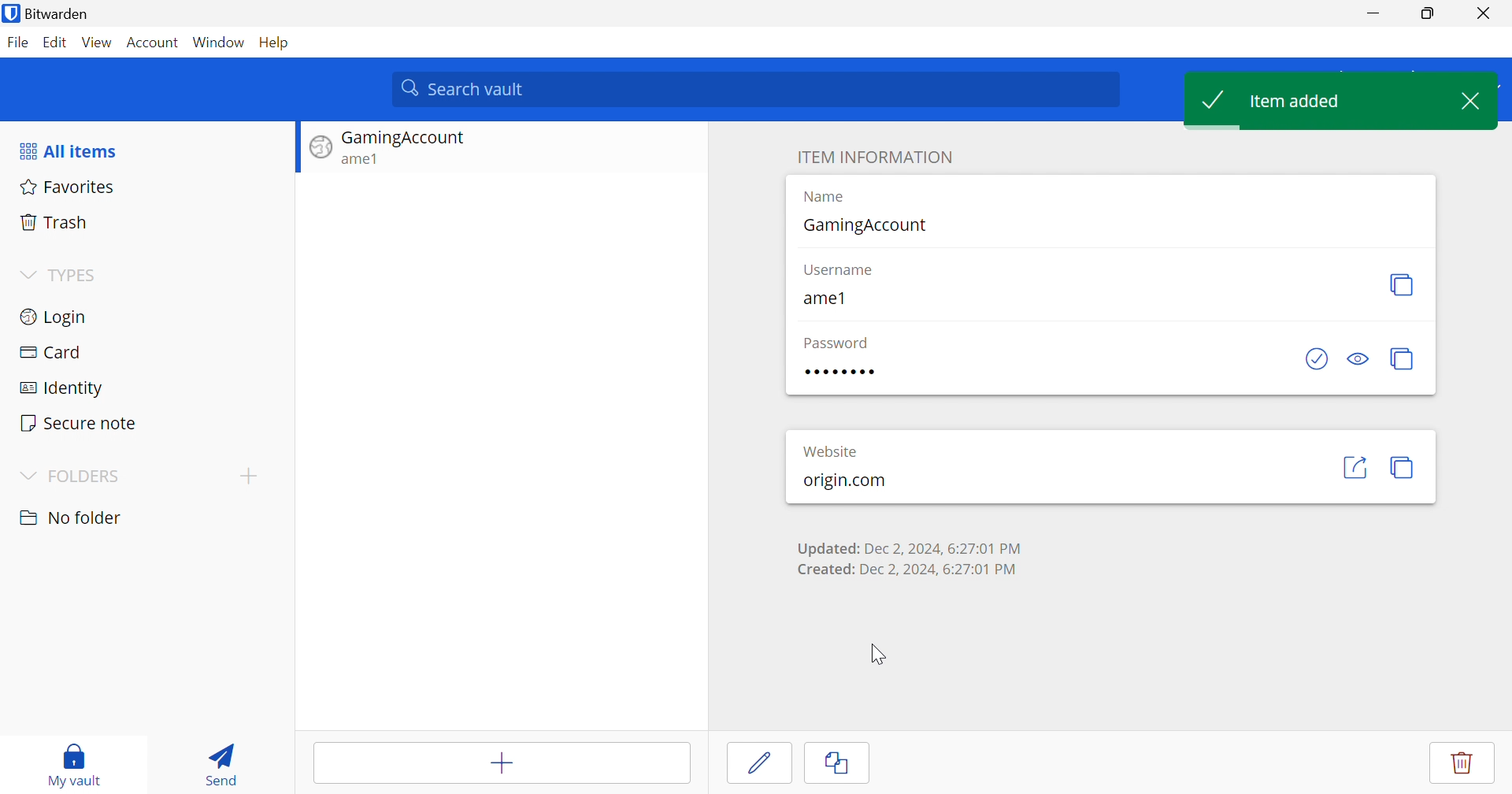 The height and width of the screenshot is (794, 1512). Describe the element at coordinates (830, 451) in the screenshot. I see `Website` at that location.